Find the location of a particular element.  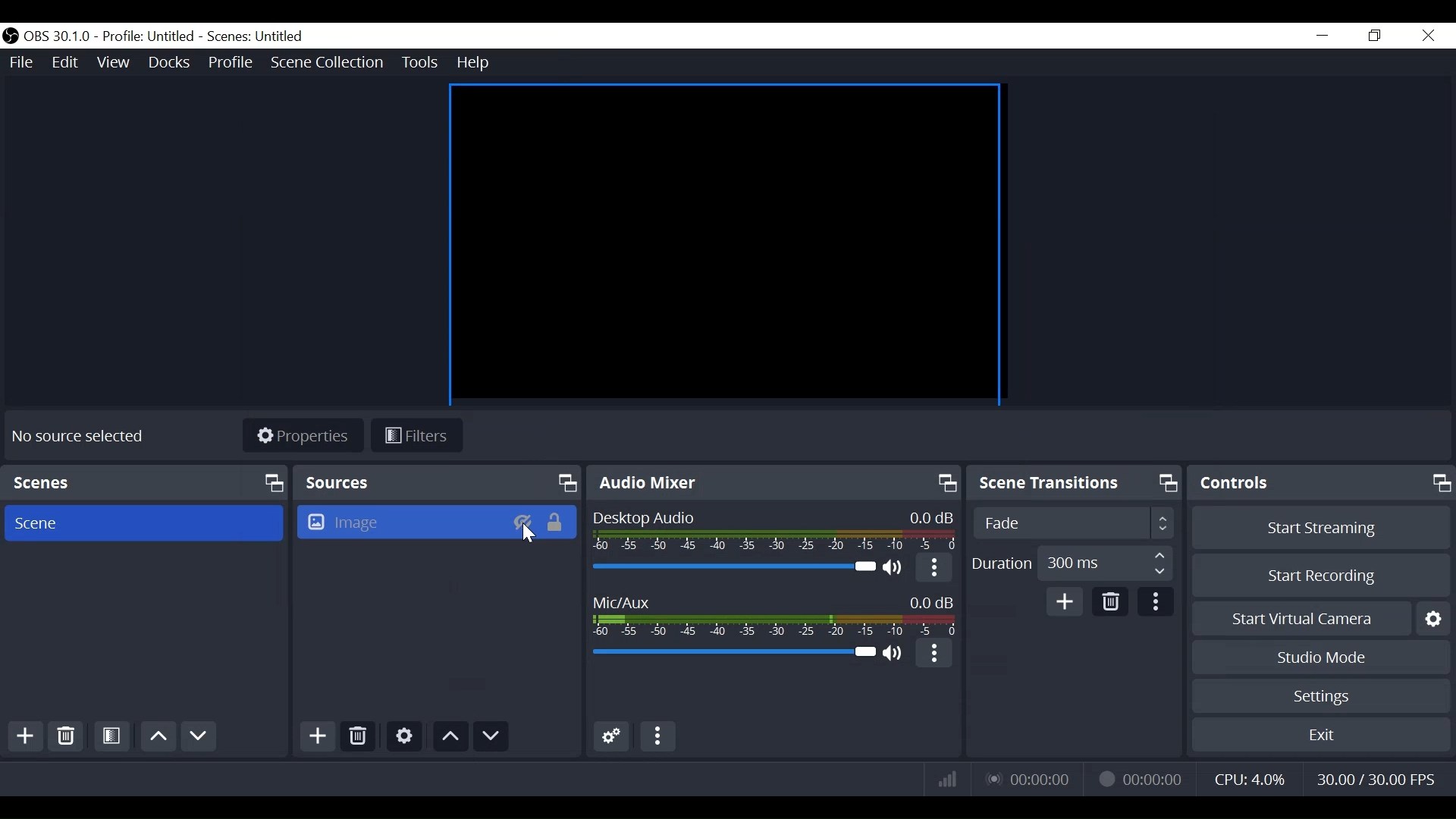

Move down is located at coordinates (199, 736).